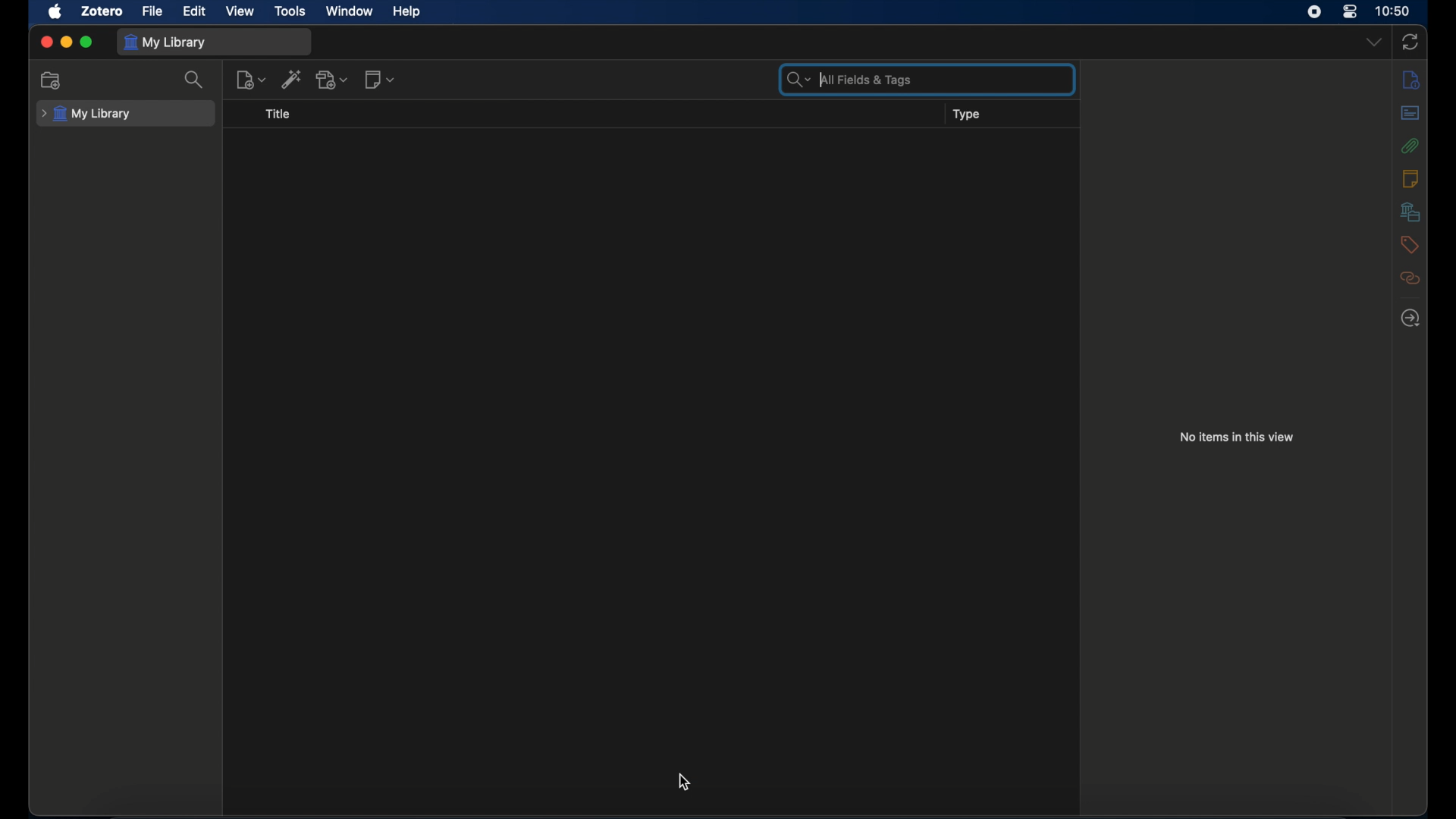 The image size is (1456, 819). Describe the element at coordinates (1411, 278) in the screenshot. I see `related` at that location.